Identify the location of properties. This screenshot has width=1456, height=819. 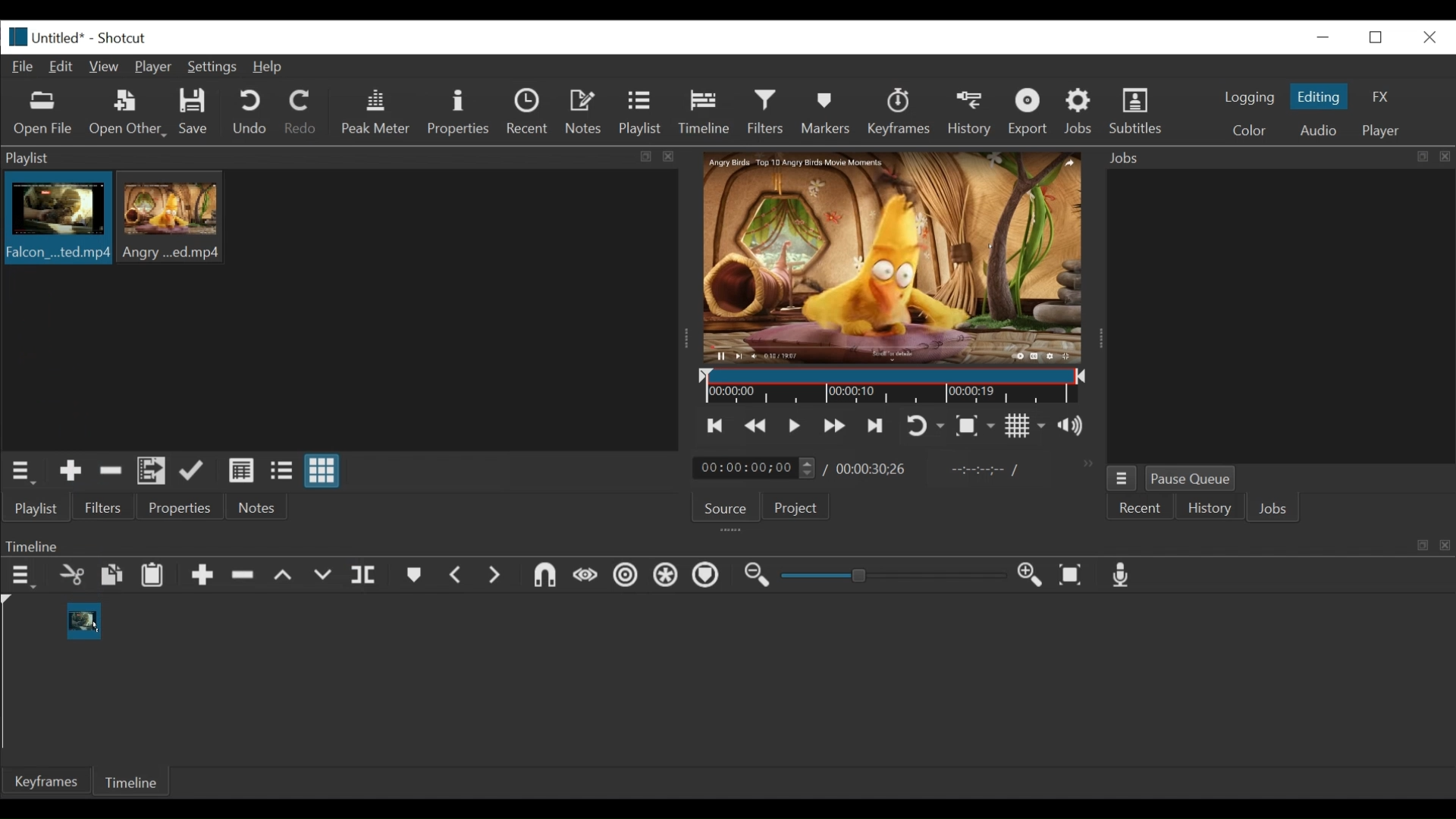
(181, 508).